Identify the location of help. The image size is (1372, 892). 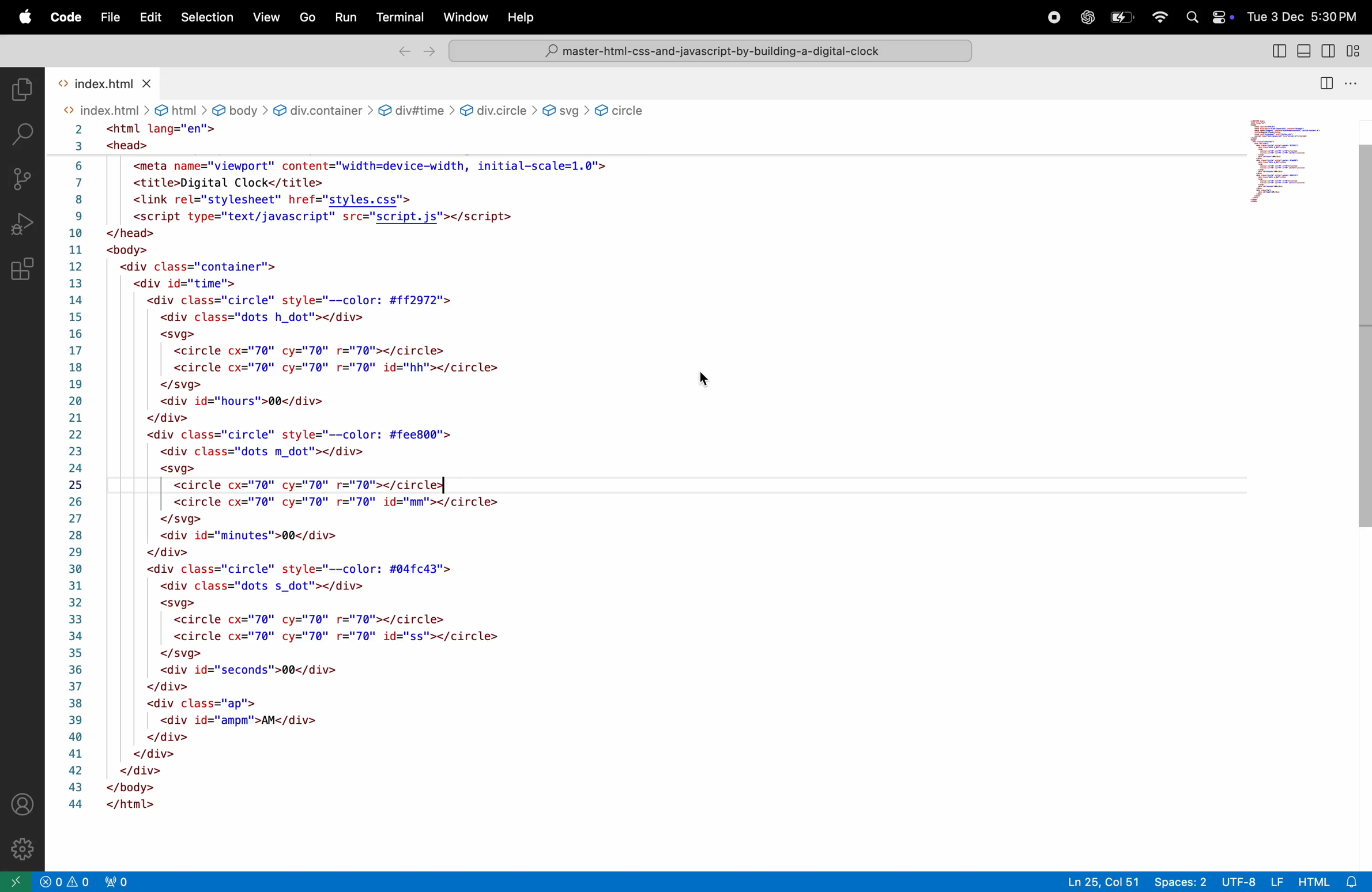
(524, 16).